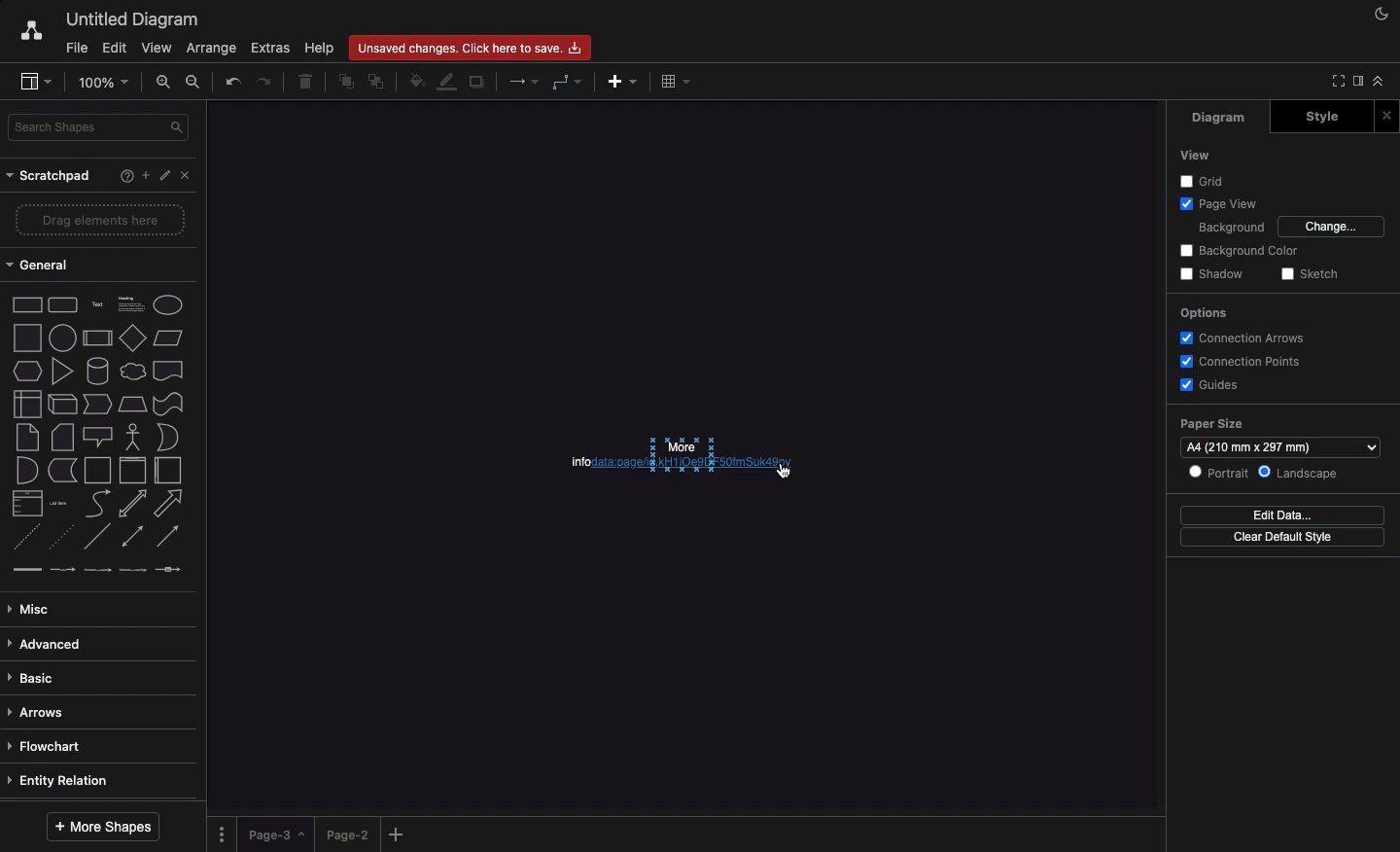 The height and width of the screenshot is (852, 1400). What do you see at coordinates (28, 503) in the screenshot?
I see `list` at bounding box center [28, 503].